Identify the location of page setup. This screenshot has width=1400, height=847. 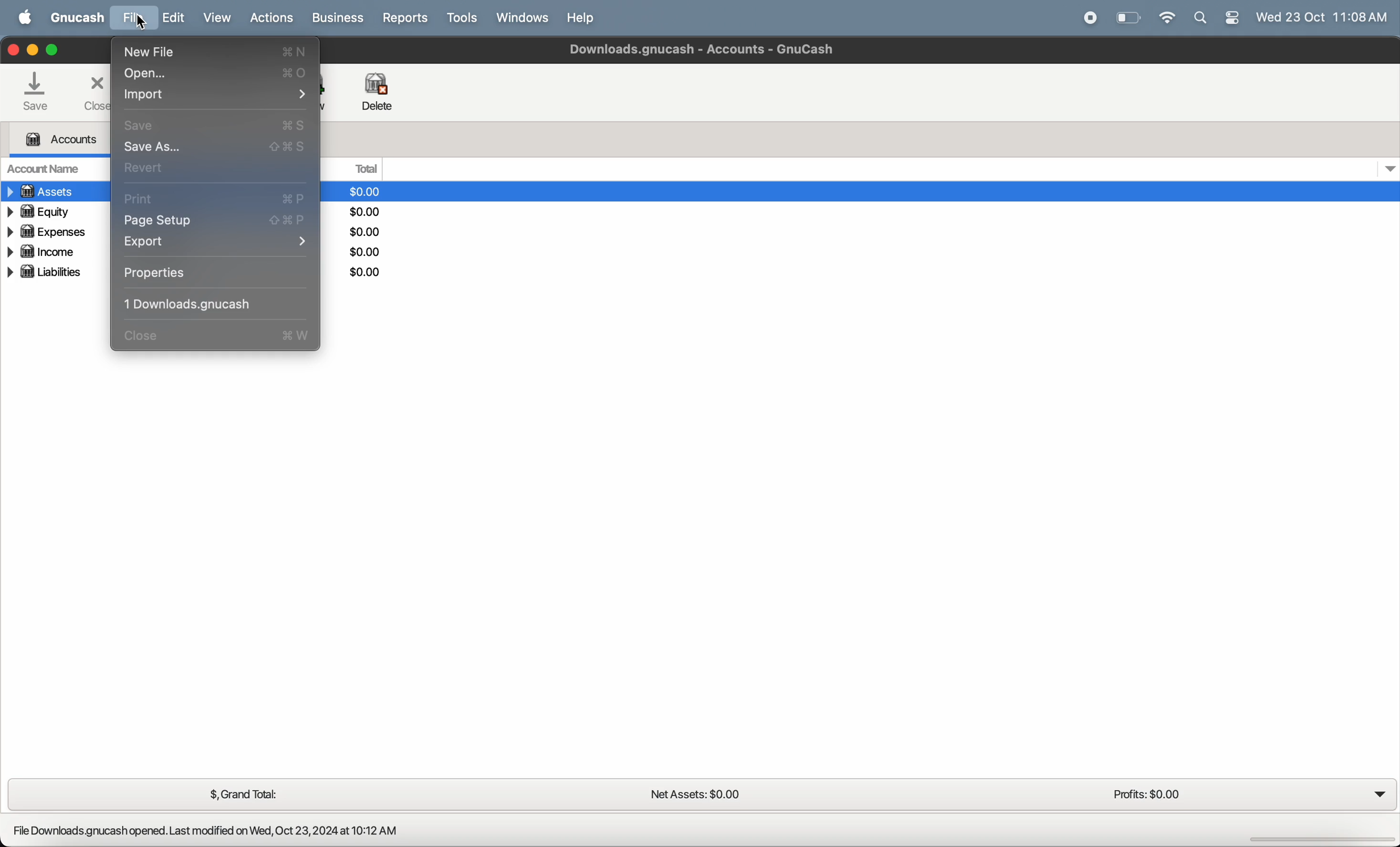
(209, 222).